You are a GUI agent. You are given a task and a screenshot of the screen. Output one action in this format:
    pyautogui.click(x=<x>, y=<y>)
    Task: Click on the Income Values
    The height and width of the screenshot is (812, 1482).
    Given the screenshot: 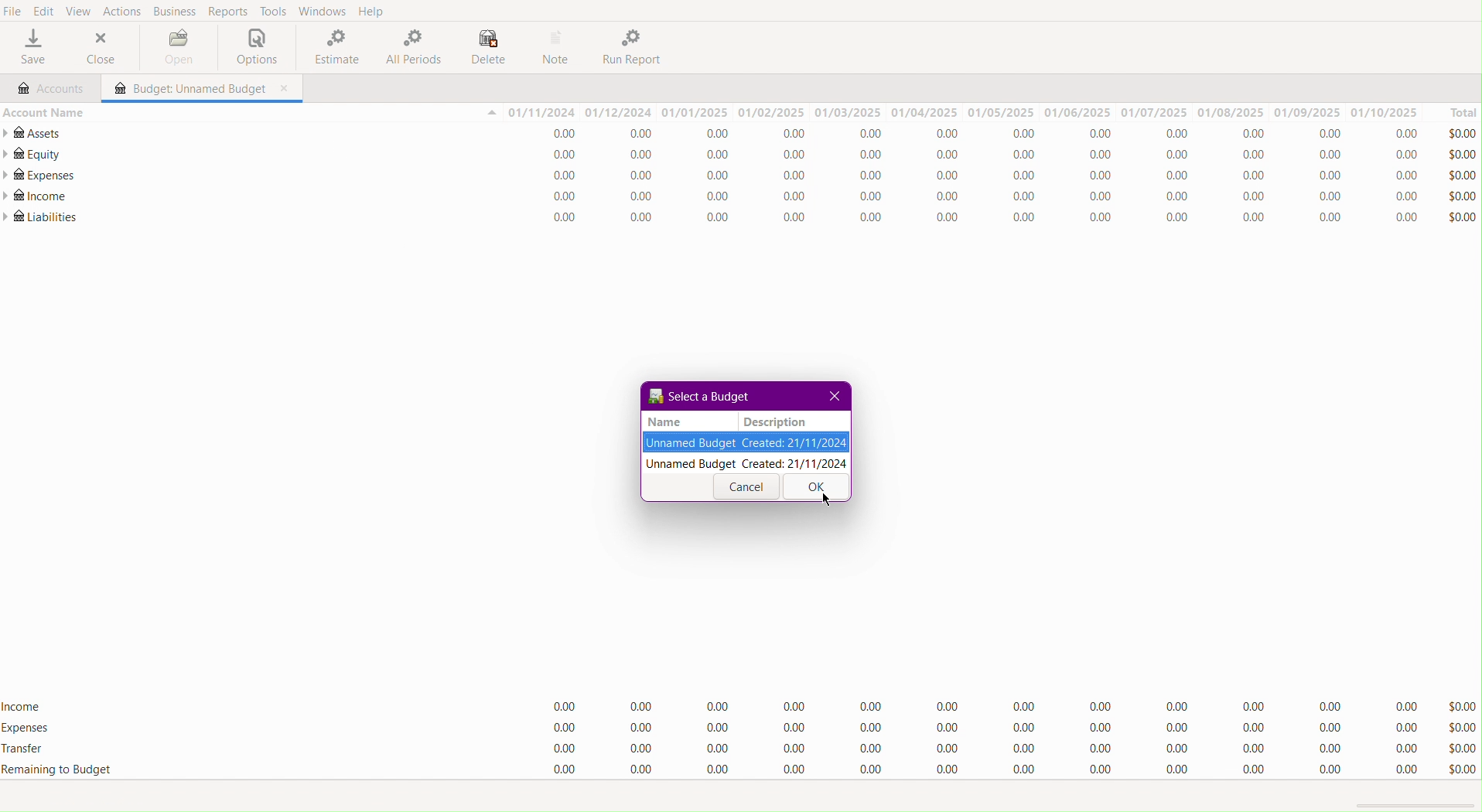 What is the action you would take?
    pyautogui.click(x=986, y=704)
    